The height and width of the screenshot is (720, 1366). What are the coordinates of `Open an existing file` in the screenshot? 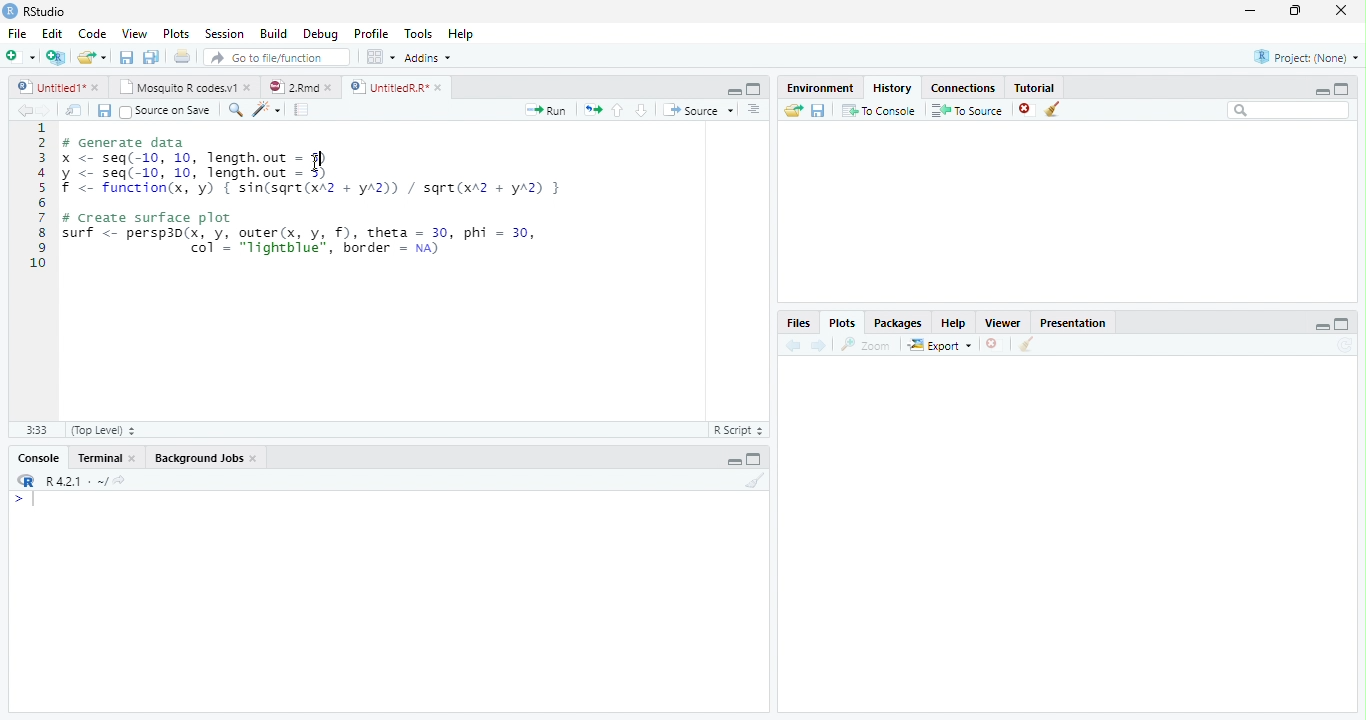 It's located at (84, 57).